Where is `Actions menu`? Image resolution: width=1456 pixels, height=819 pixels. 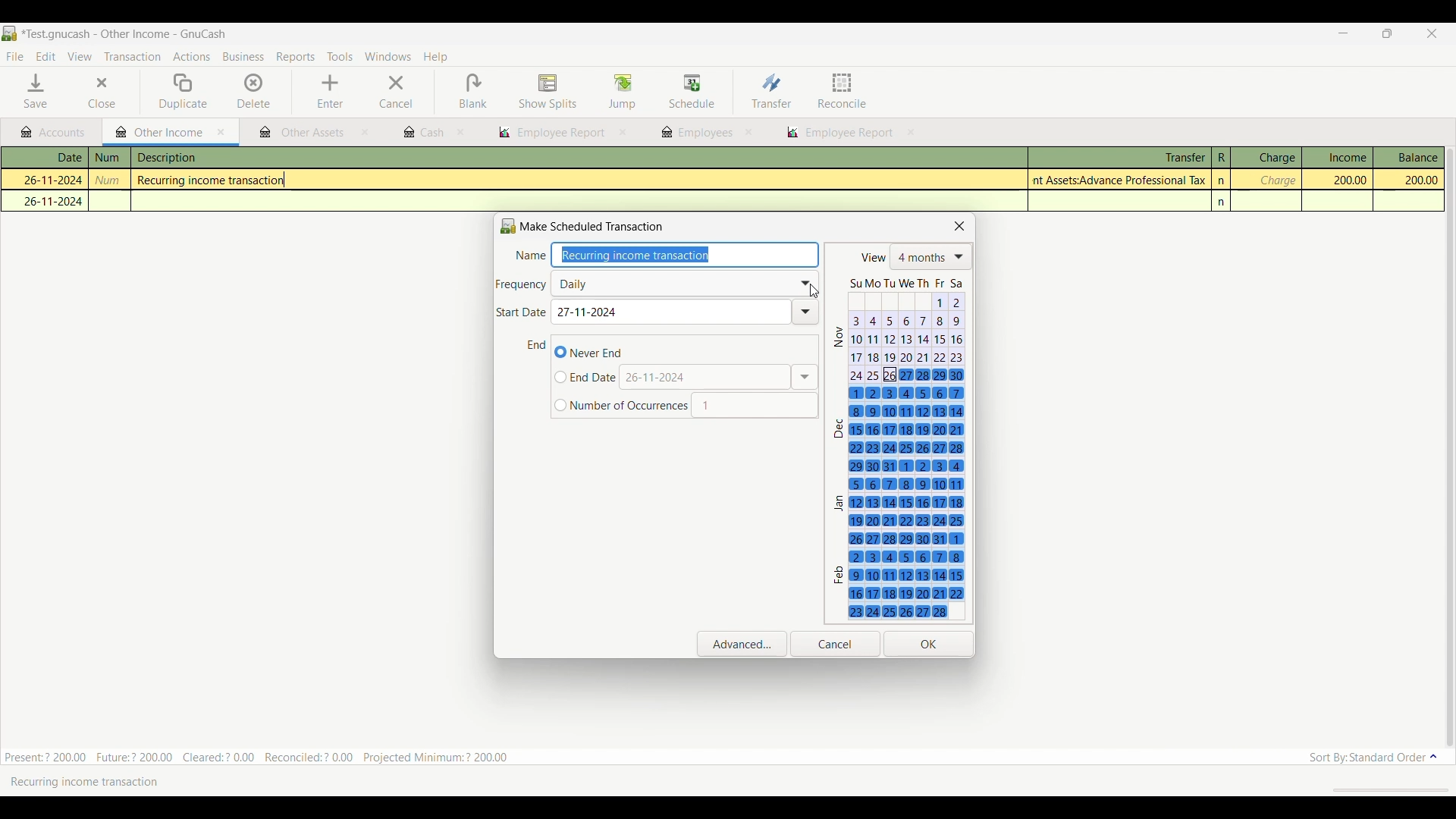 Actions menu is located at coordinates (191, 58).